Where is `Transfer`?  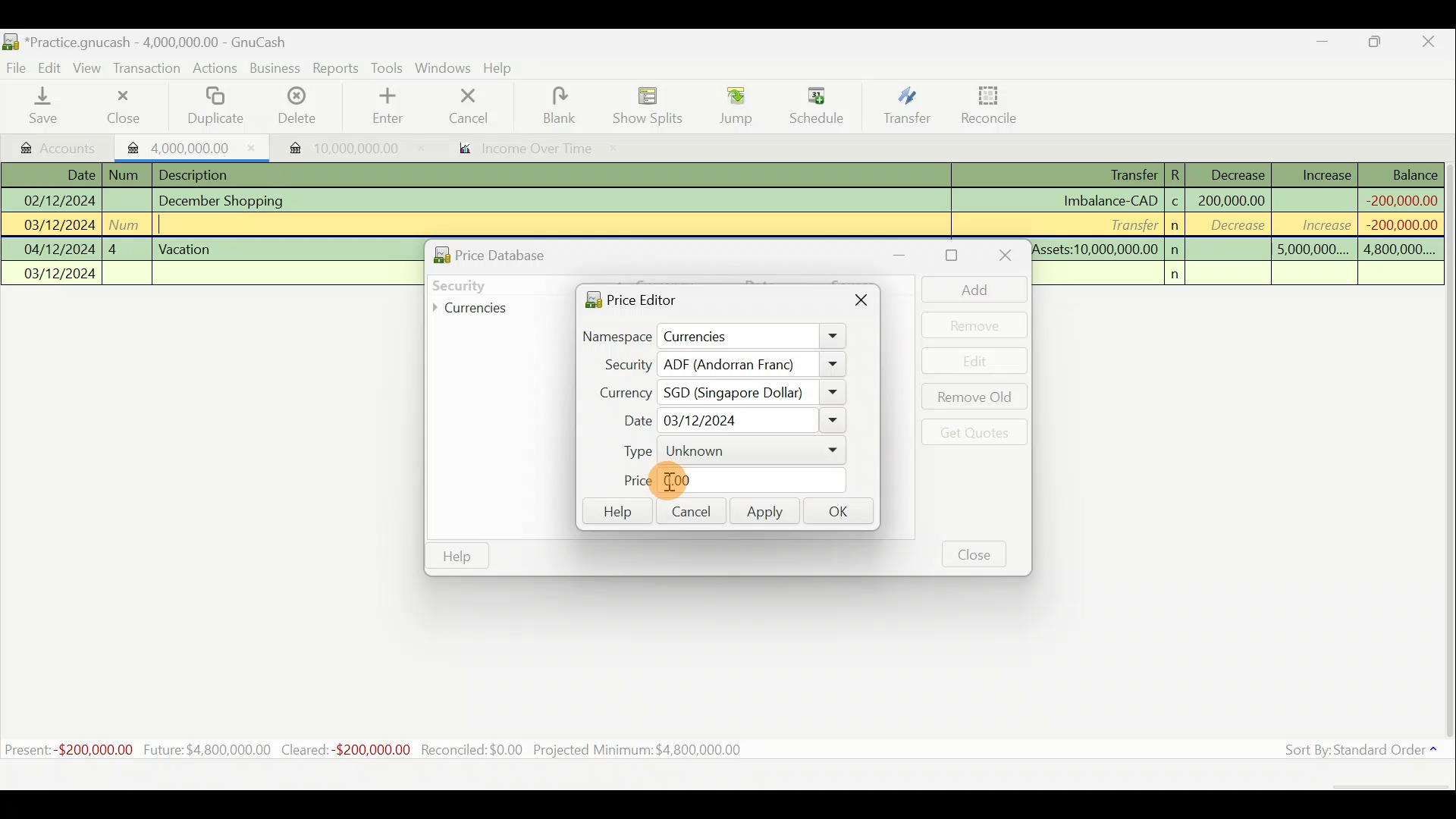
Transfer is located at coordinates (1129, 224).